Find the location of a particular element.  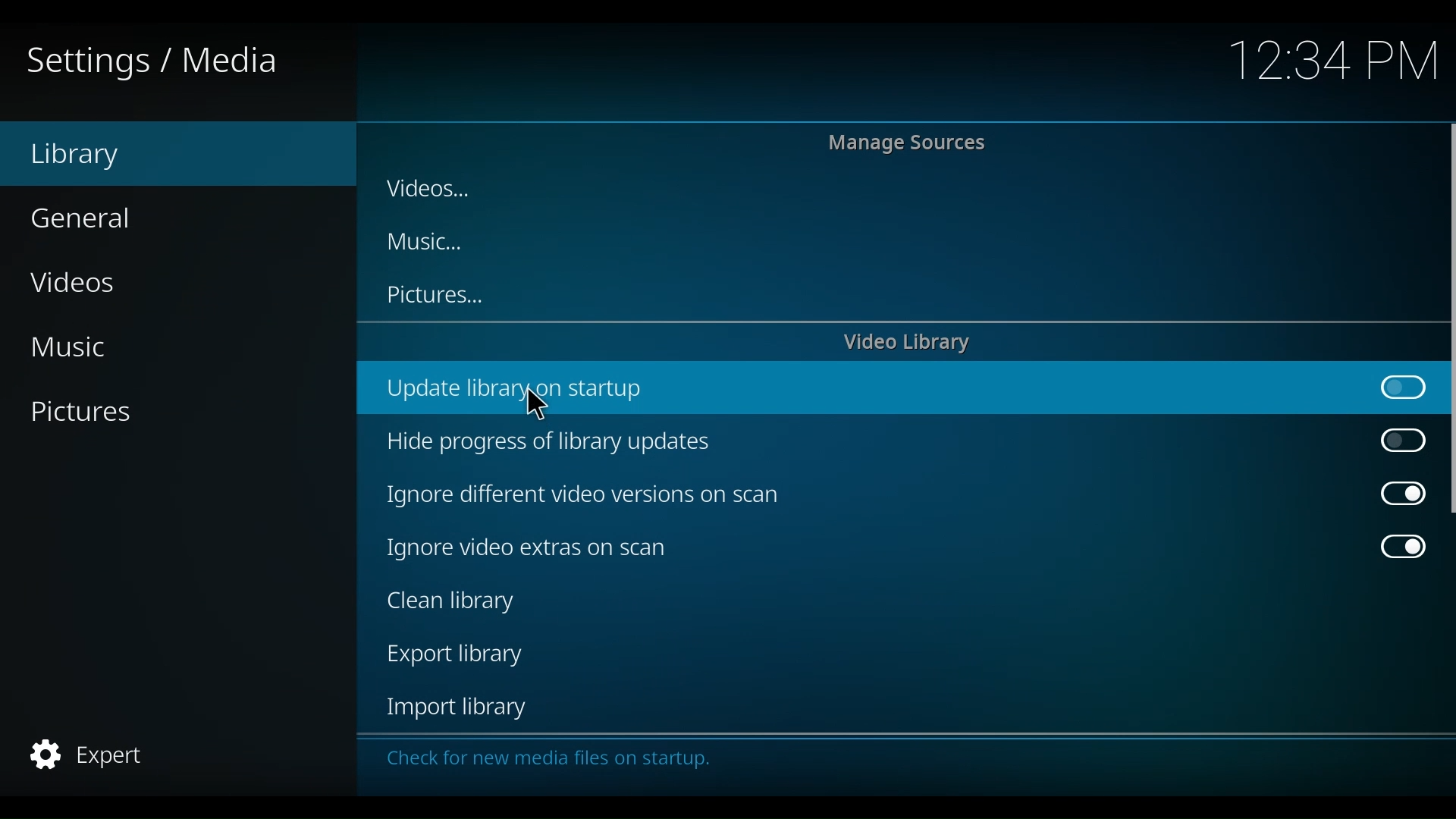

Time is located at coordinates (1332, 61).